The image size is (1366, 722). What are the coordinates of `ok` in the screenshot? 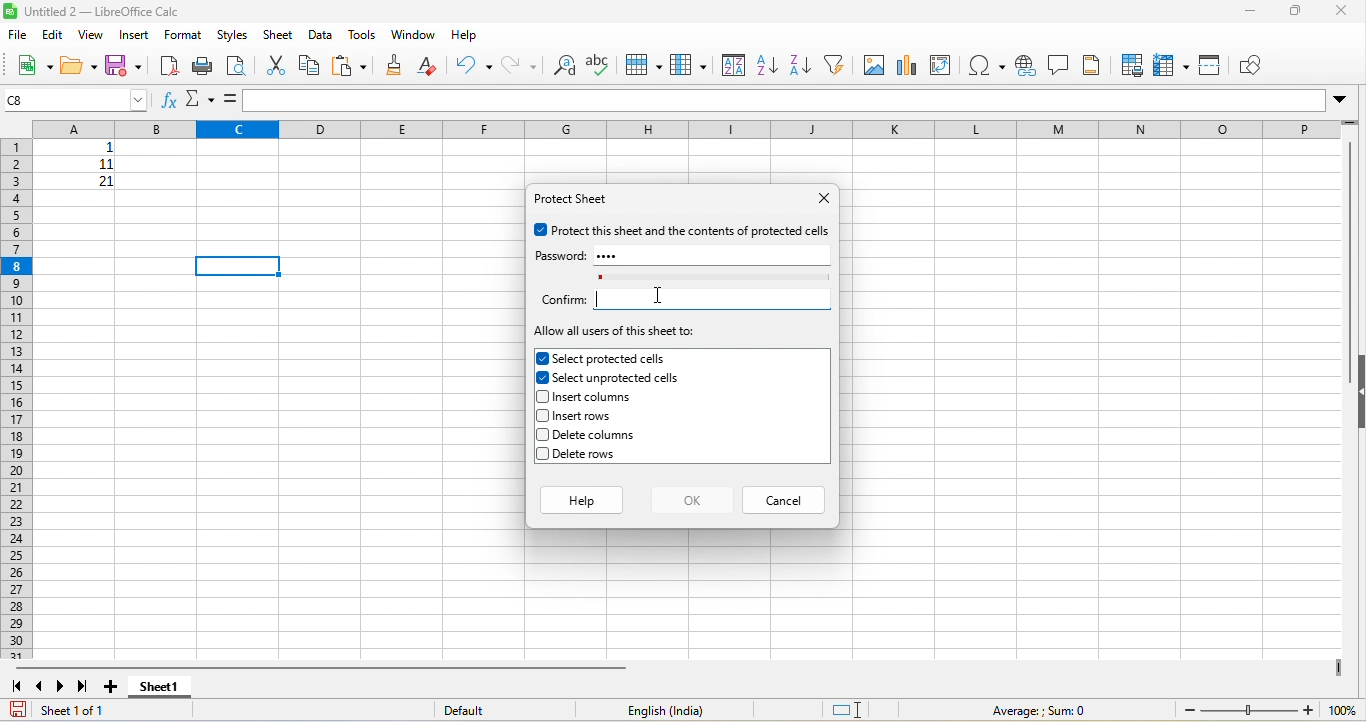 It's located at (692, 500).